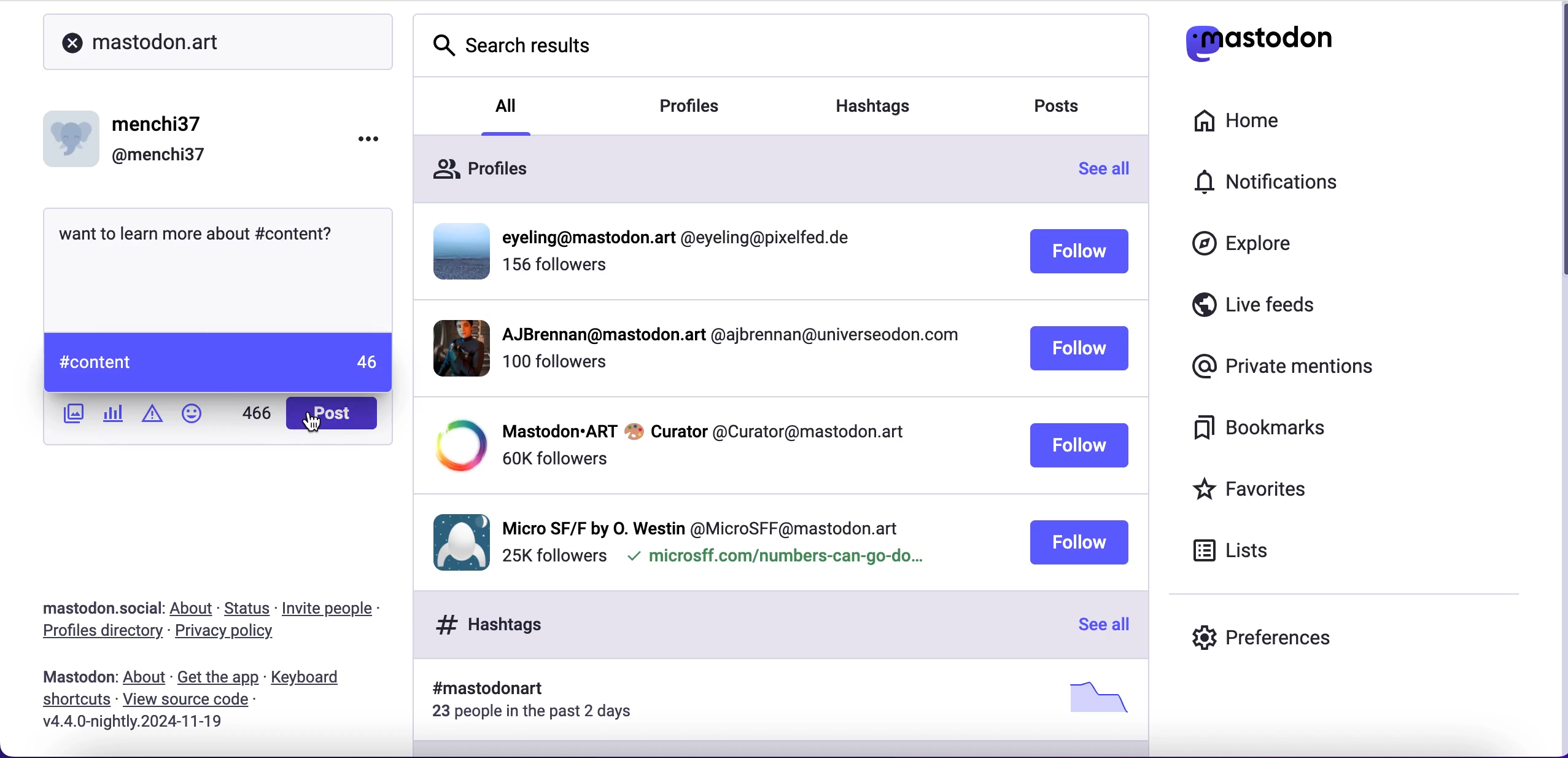 The width and height of the screenshot is (1568, 758). Describe the element at coordinates (540, 714) in the screenshot. I see `23 people in the past 2 days` at that location.